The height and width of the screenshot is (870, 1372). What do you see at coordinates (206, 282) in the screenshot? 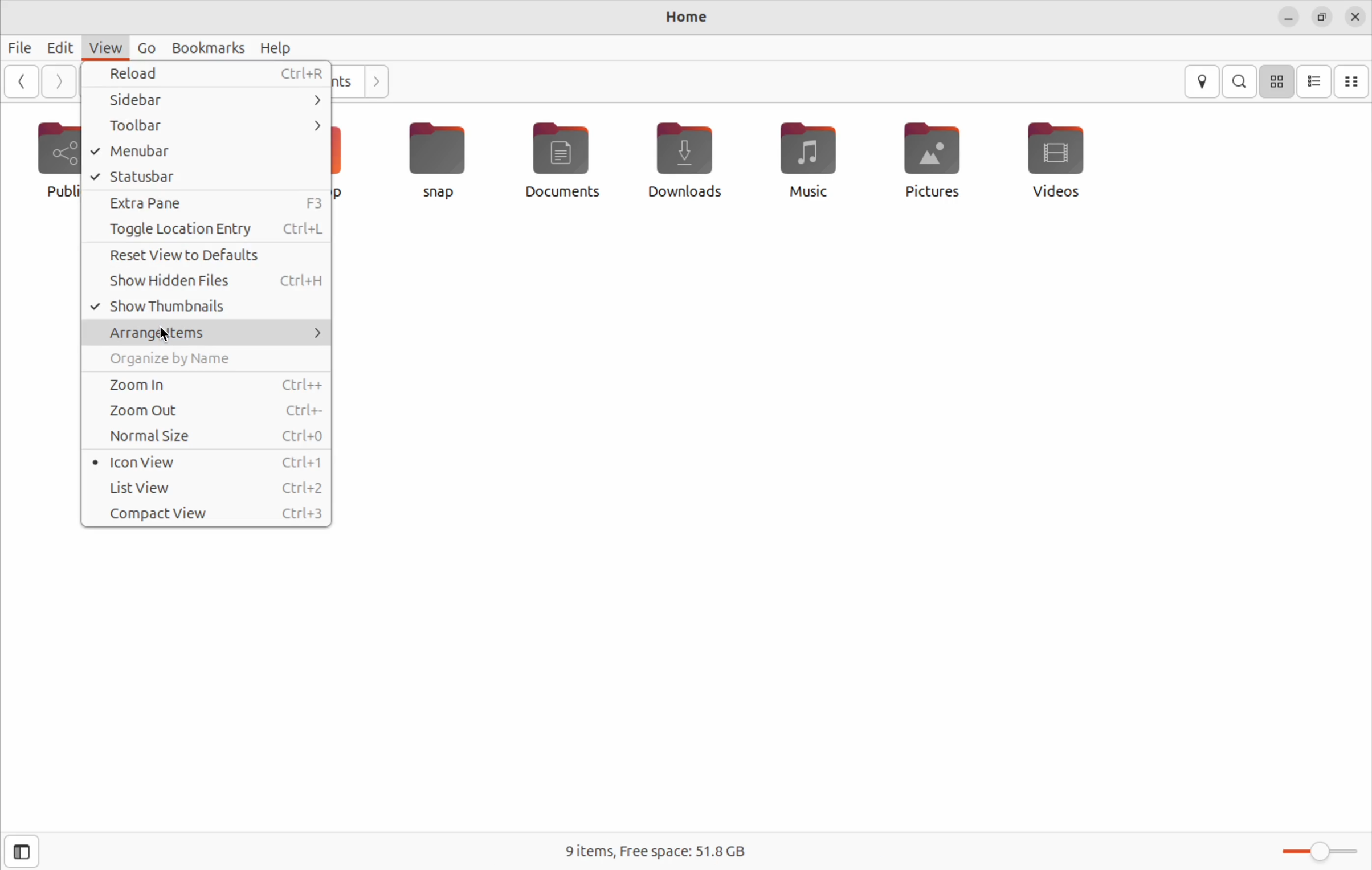
I see `show hidden files` at bounding box center [206, 282].